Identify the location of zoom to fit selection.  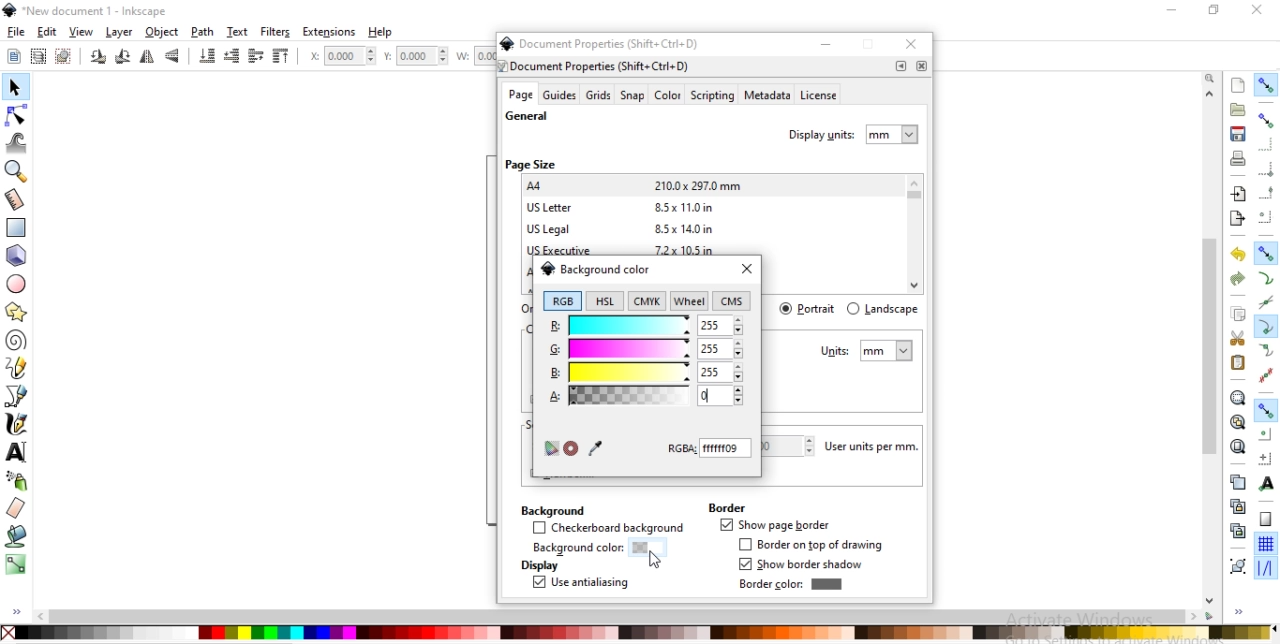
(1237, 398).